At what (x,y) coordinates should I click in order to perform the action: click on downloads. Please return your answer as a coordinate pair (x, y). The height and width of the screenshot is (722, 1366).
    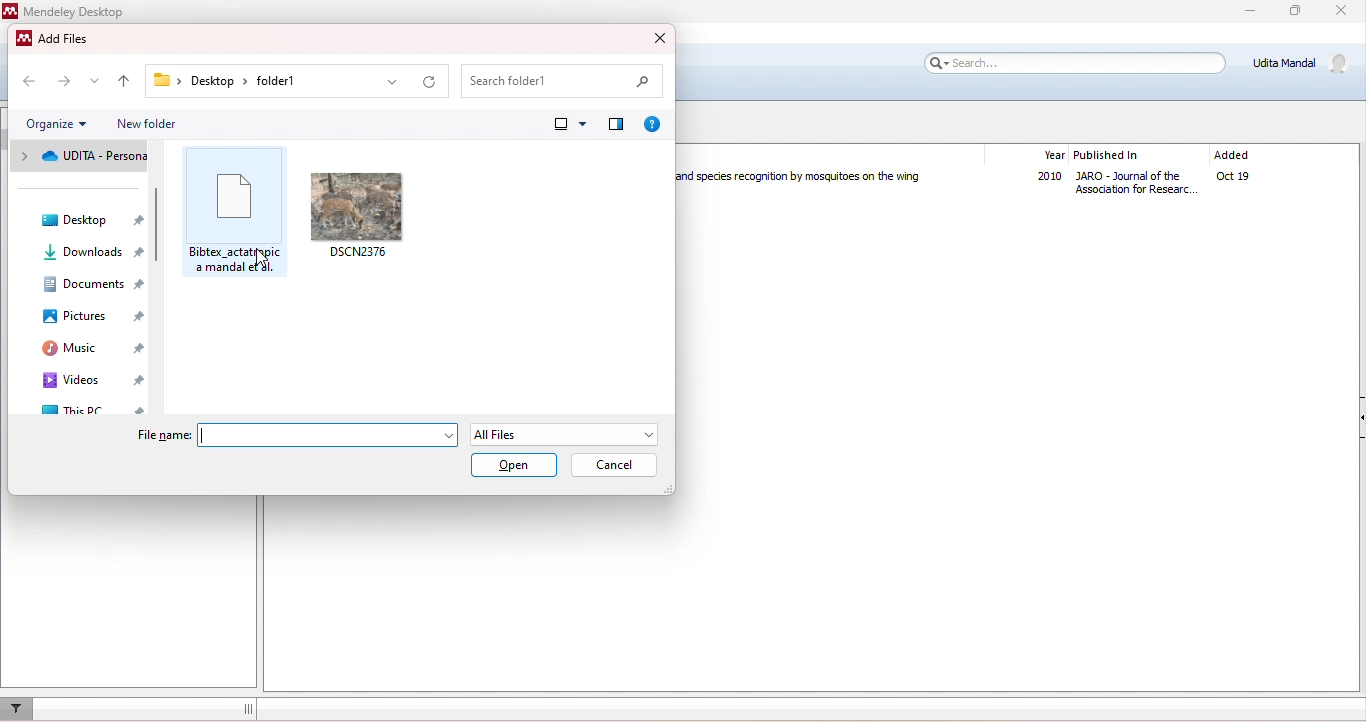
    Looking at the image, I should click on (92, 255).